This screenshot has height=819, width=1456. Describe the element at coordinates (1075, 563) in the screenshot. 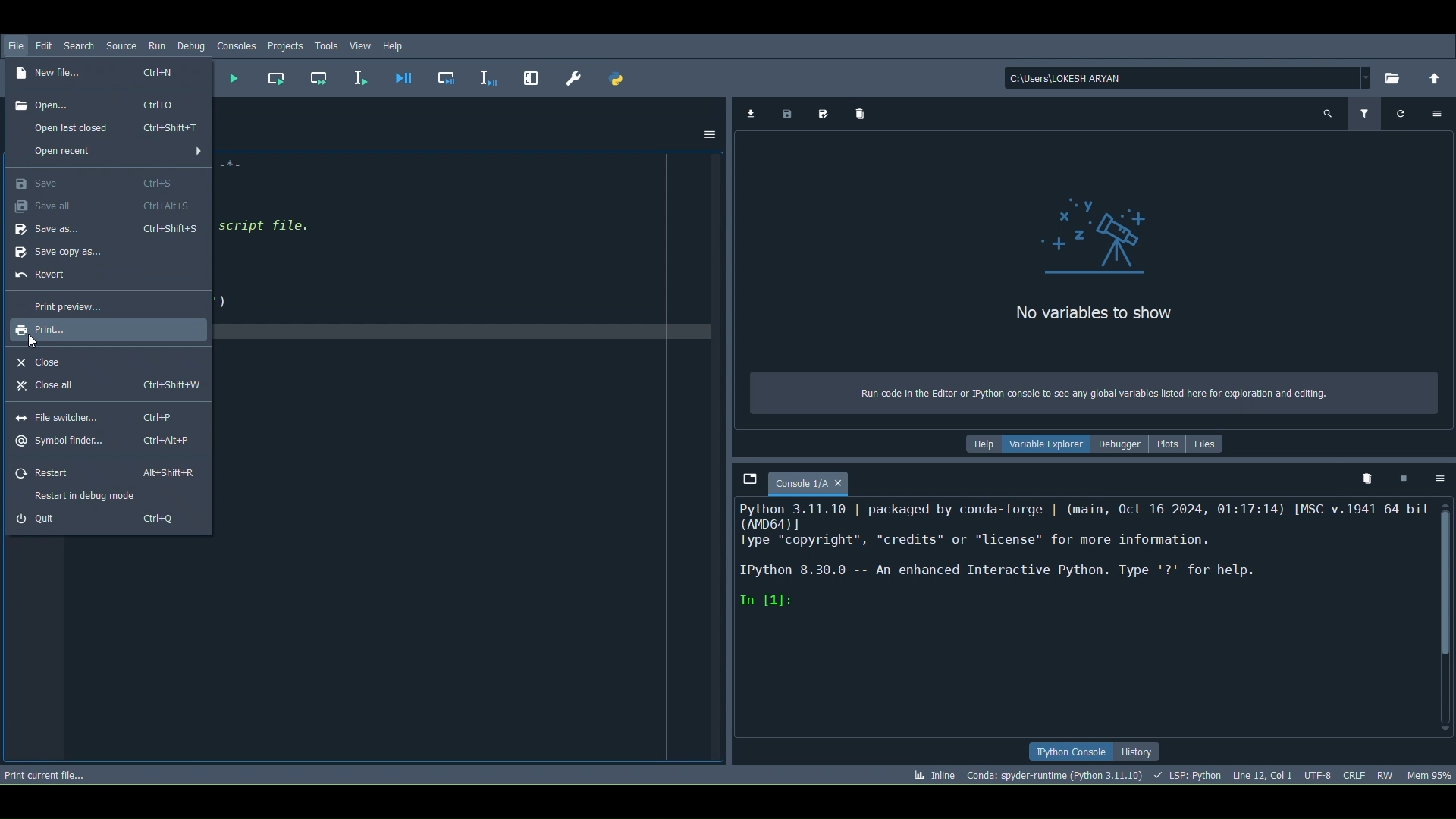

I see `Python 3.11.10 | packaged by conda-forge | (main, Oct 16 2024, 01:17:14) [MSC v.1941 64 bita ee, "credits" or "license" for more information. IPython 8.30.0 -- An enhanced Interactive Python. Type '?' for help. In [1]:` at that location.